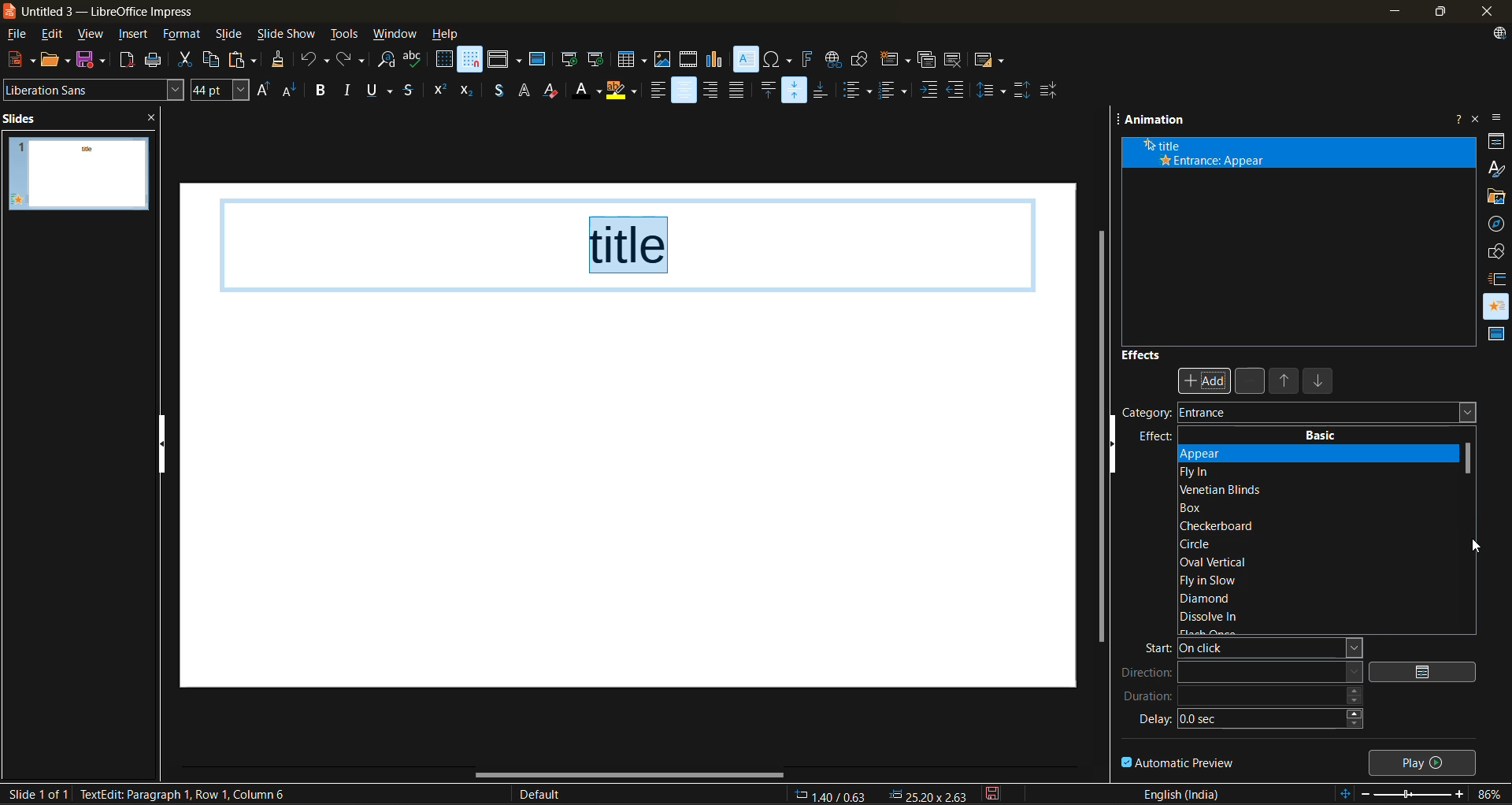  Describe the element at coordinates (1458, 116) in the screenshot. I see `help about this sidebar deck` at that location.